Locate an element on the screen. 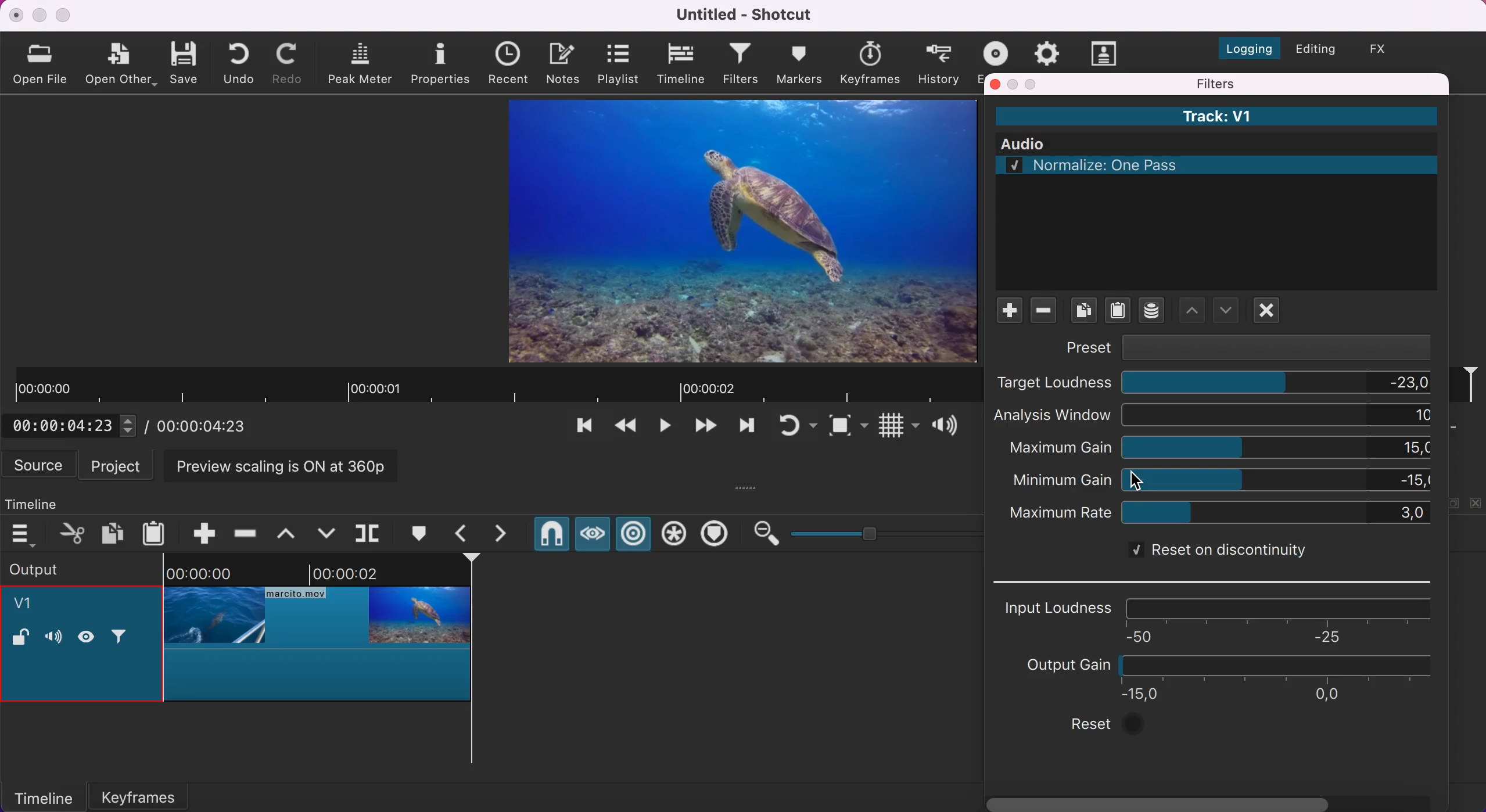  timeline is located at coordinates (683, 64).